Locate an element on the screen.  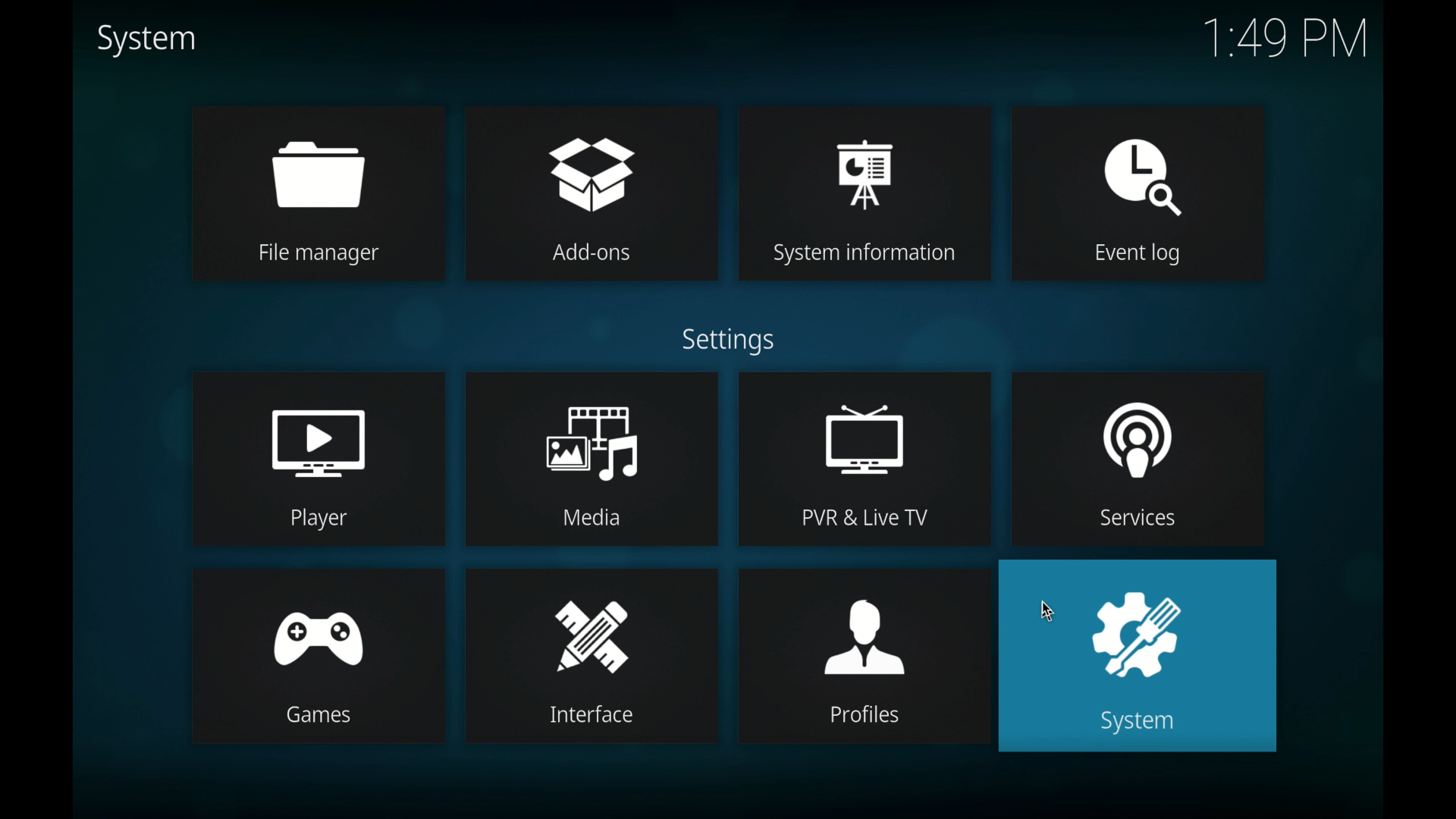
pvr and live tv is located at coordinates (865, 459).